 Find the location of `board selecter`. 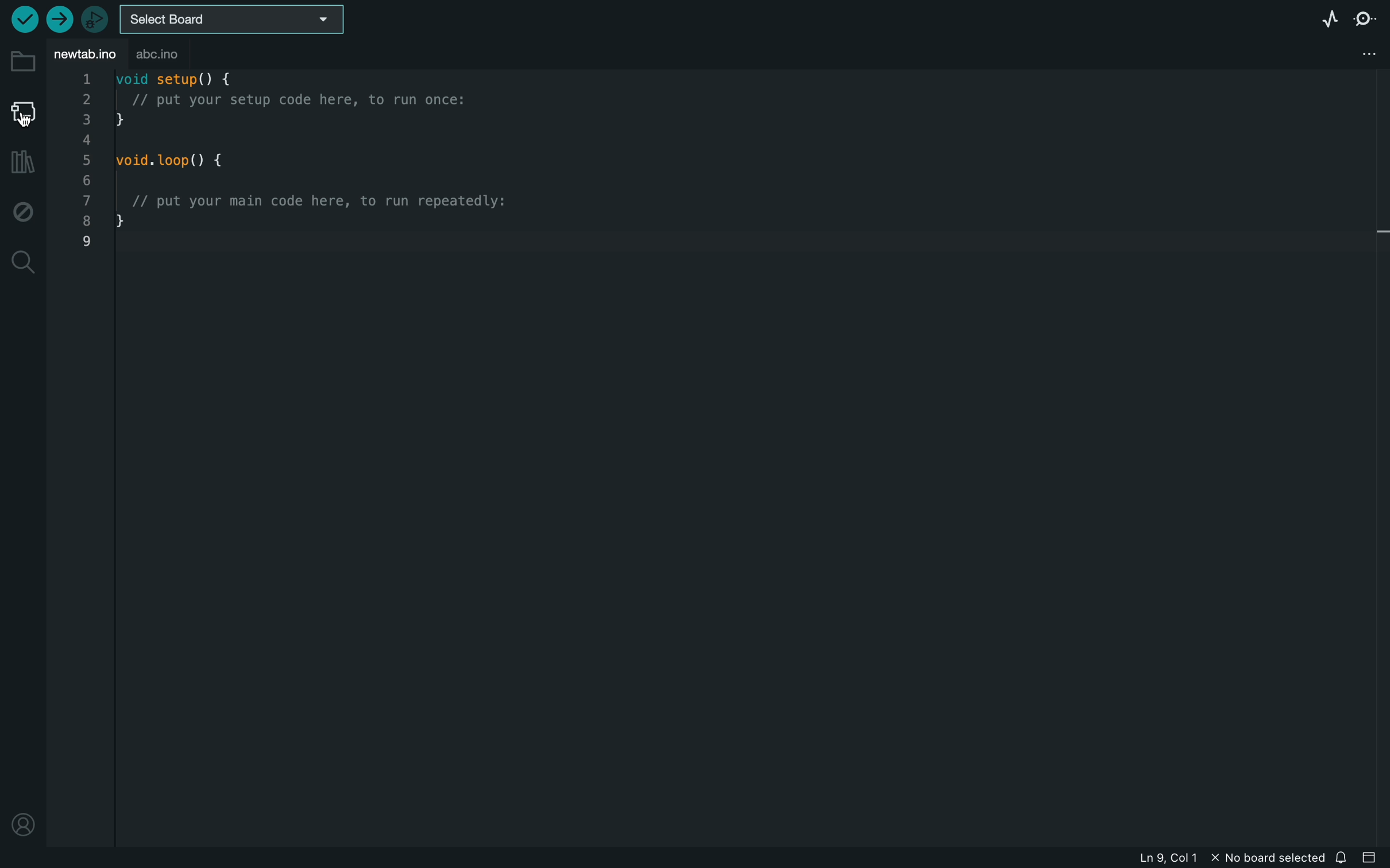

board selecter is located at coordinates (230, 21).